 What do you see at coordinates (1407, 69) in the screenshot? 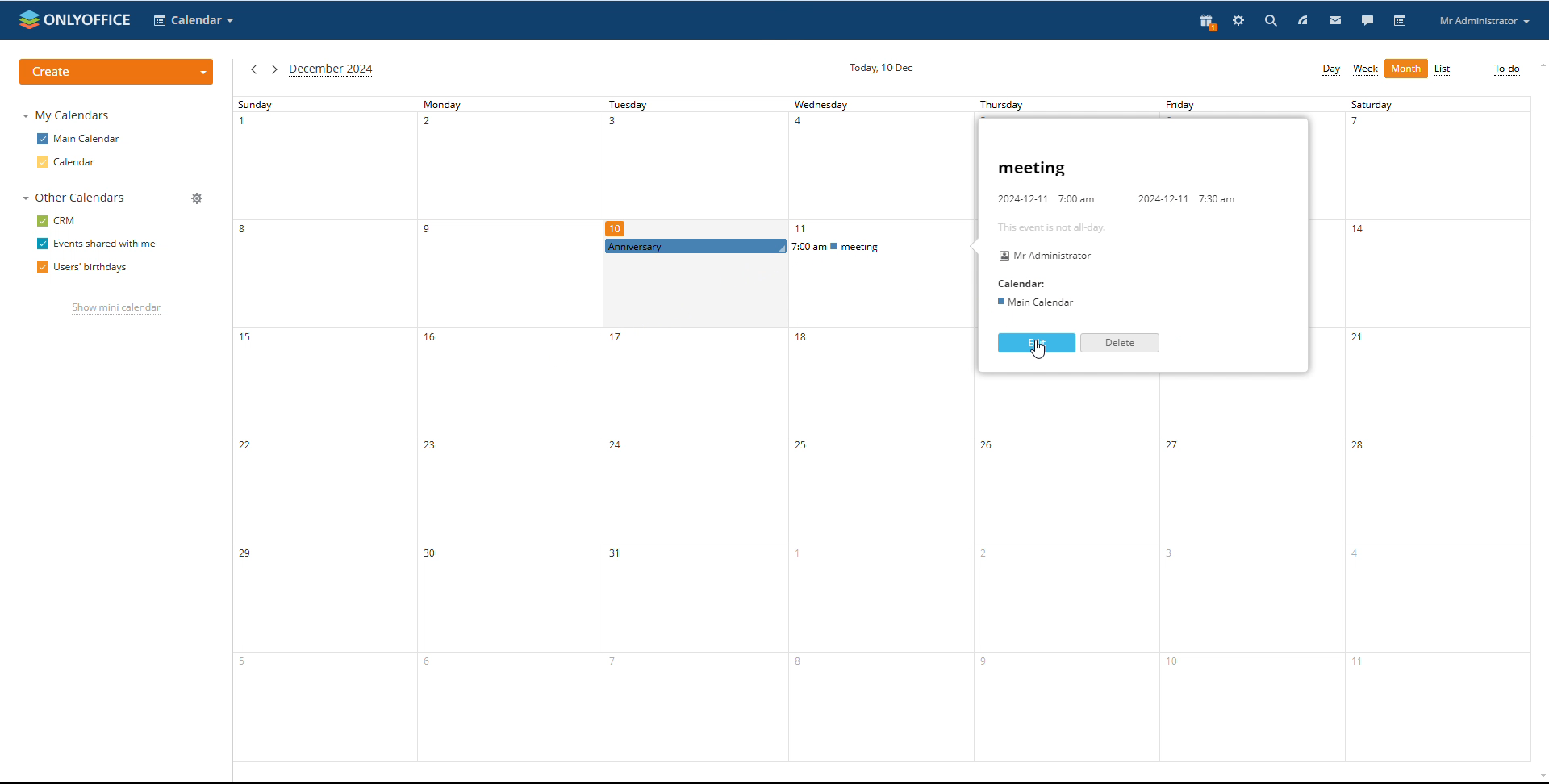
I see `month view` at bounding box center [1407, 69].